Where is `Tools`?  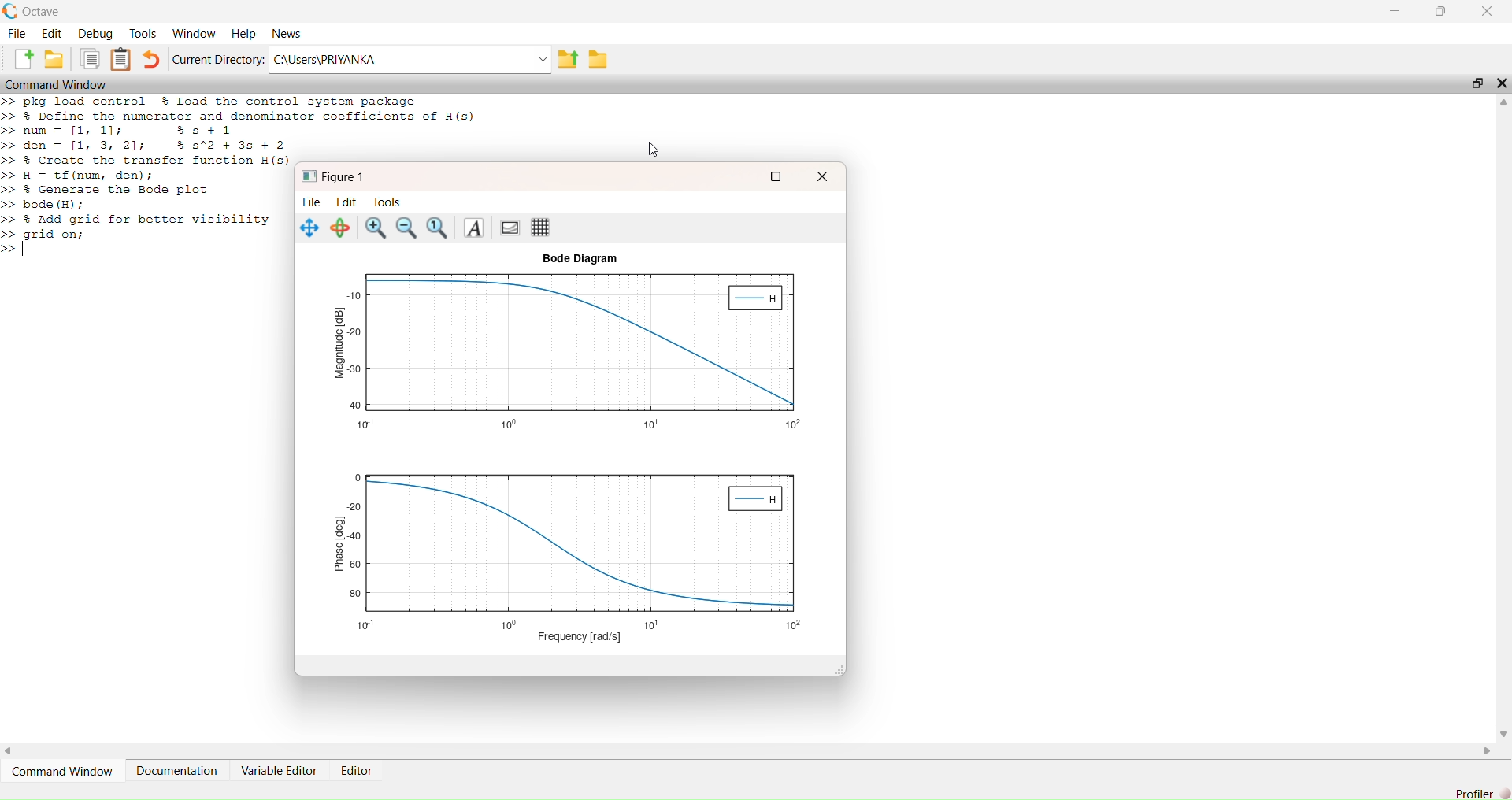
Tools is located at coordinates (387, 202).